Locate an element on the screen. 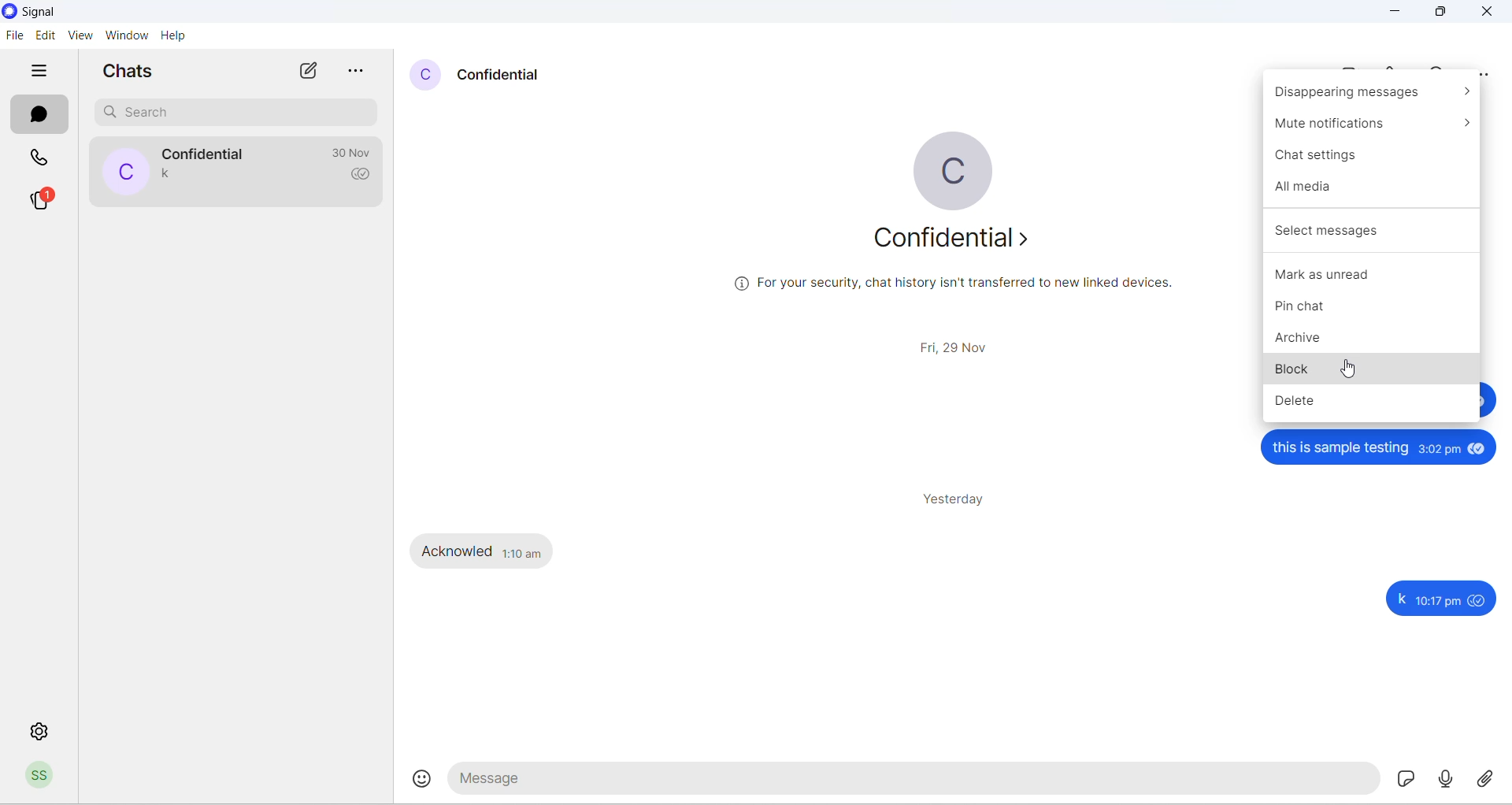 The width and height of the screenshot is (1512, 805). search chat is located at coordinates (228, 114).